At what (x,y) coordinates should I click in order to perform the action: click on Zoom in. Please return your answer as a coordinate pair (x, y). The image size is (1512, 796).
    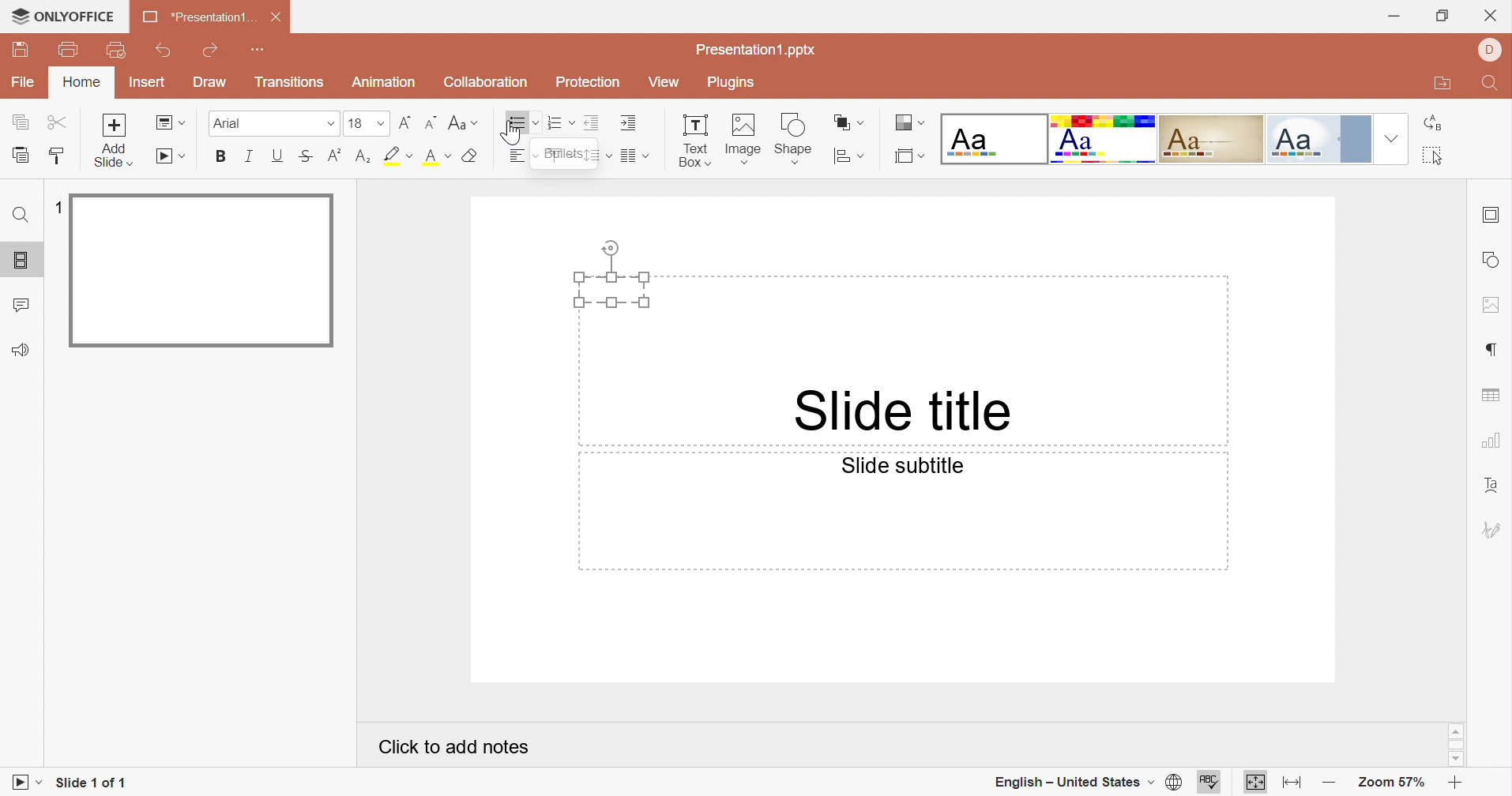
    Looking at the image, I should click on (1455, 783).